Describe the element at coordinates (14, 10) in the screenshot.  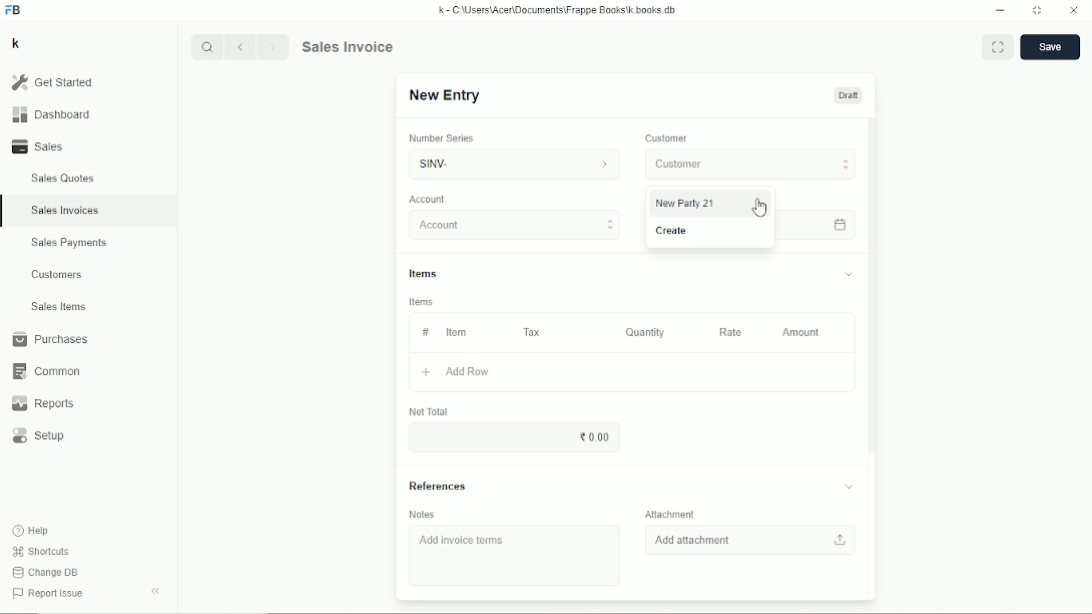
I see `FB` at that location.